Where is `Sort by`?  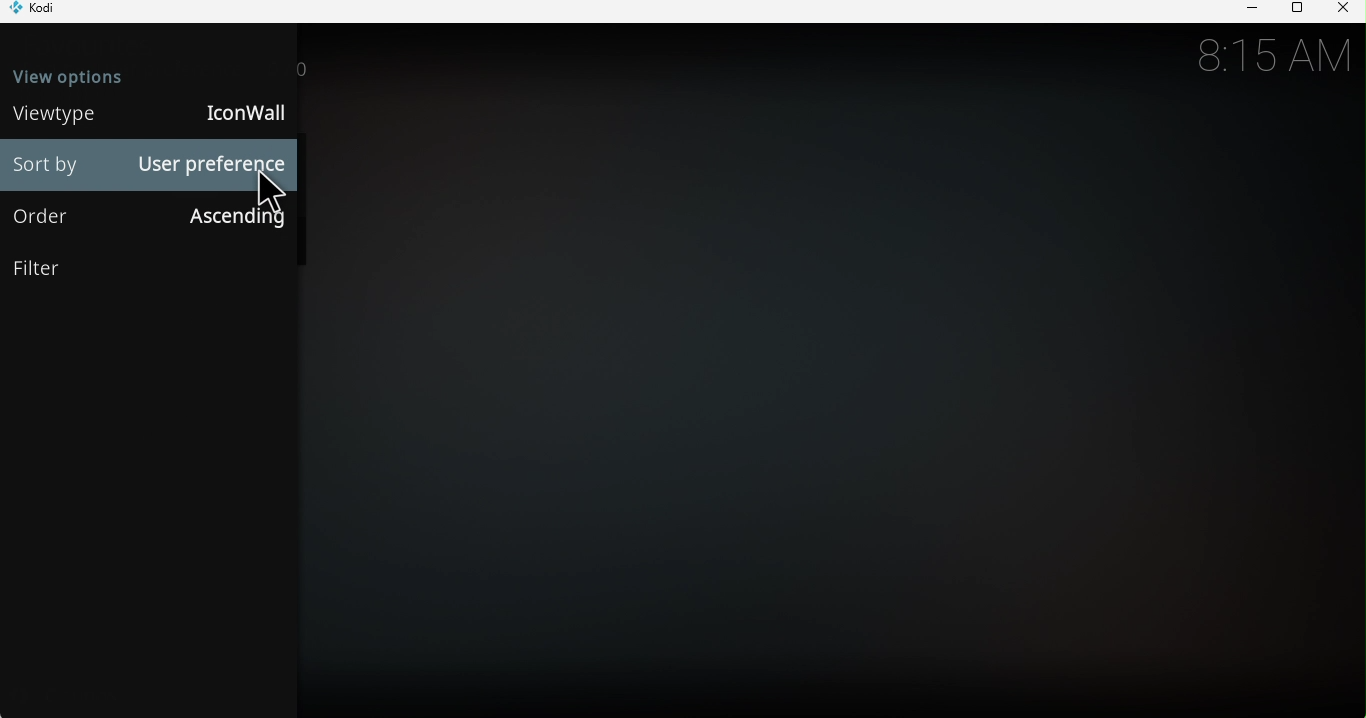 Sort by is located at coordinates (47, 166).